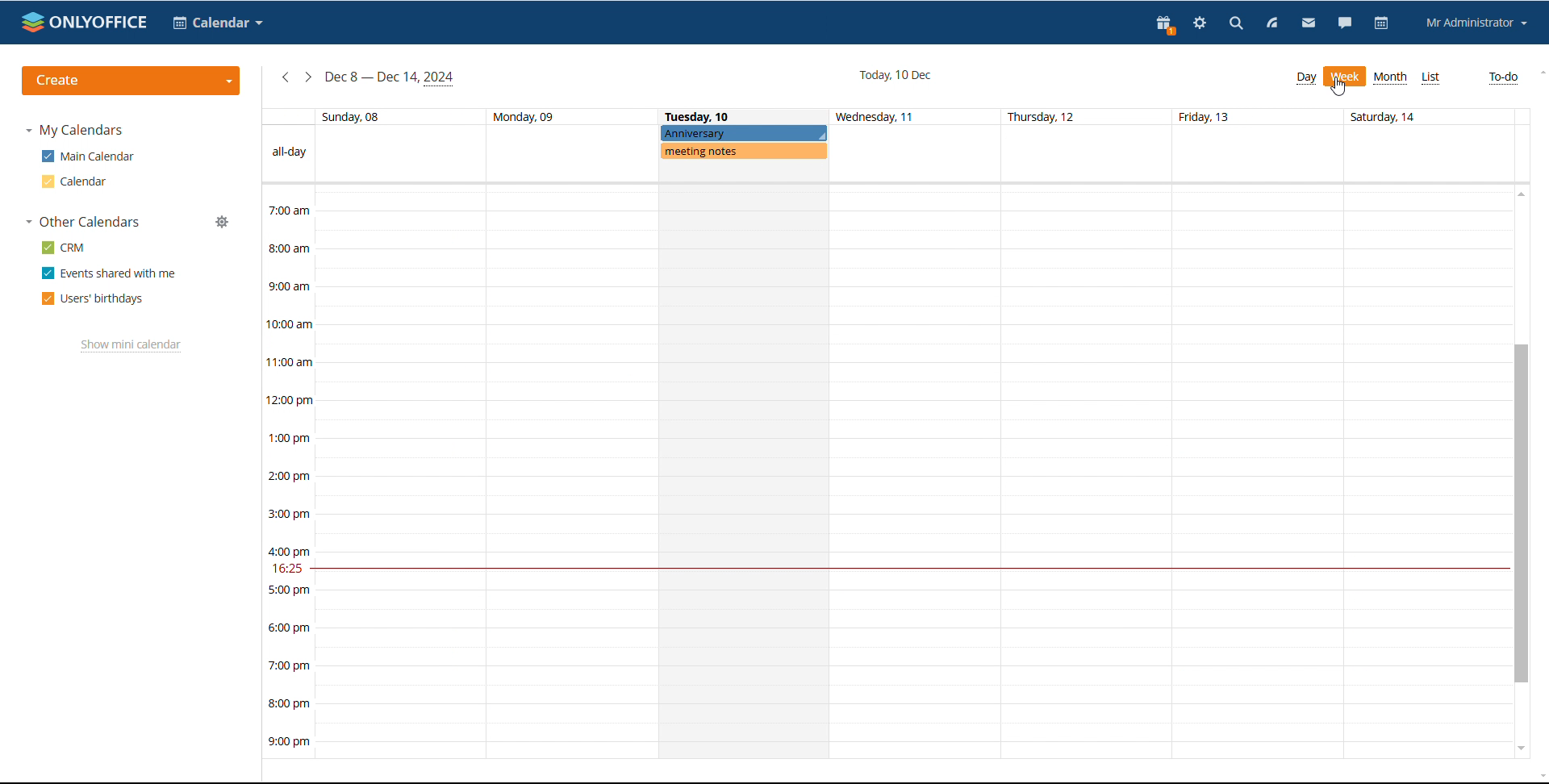 The image size is (1549, 784). Describe the element at coordinates (1522, 514) in the screenshot. I see `scrollbar` at that location.